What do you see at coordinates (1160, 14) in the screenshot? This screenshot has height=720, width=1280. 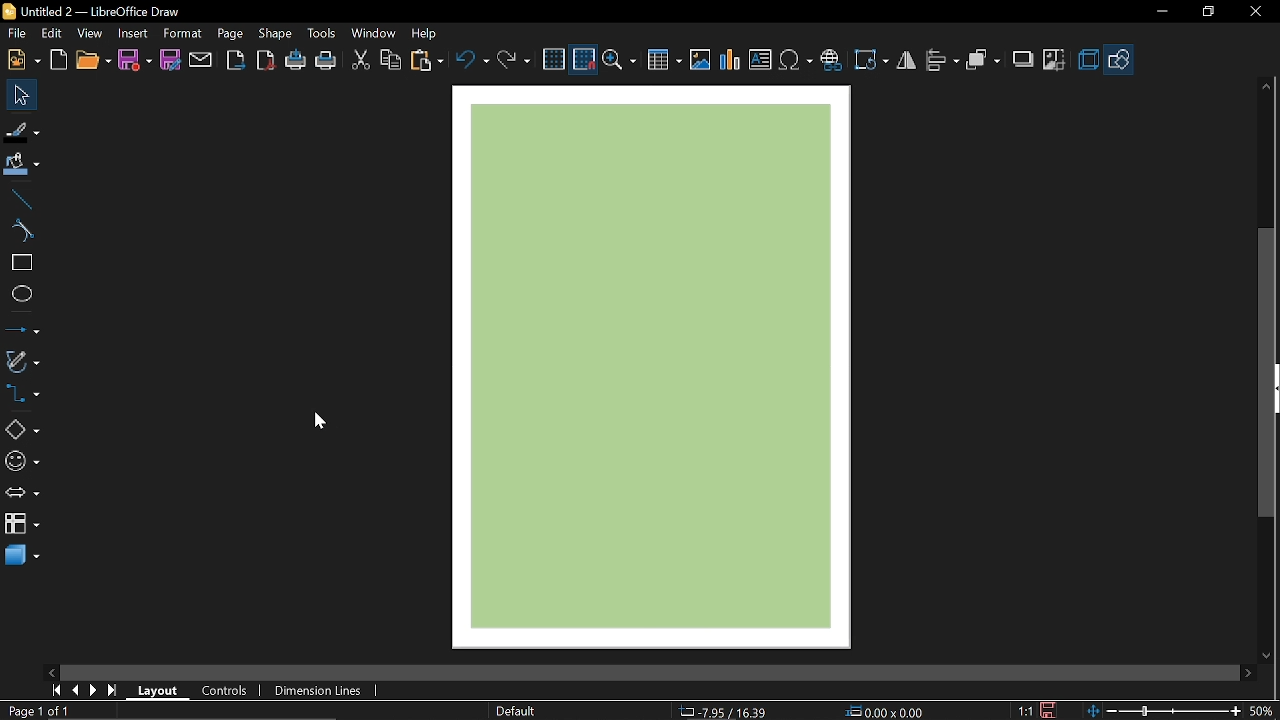 I see `Miniimize` at bounding box center [1160, 14].